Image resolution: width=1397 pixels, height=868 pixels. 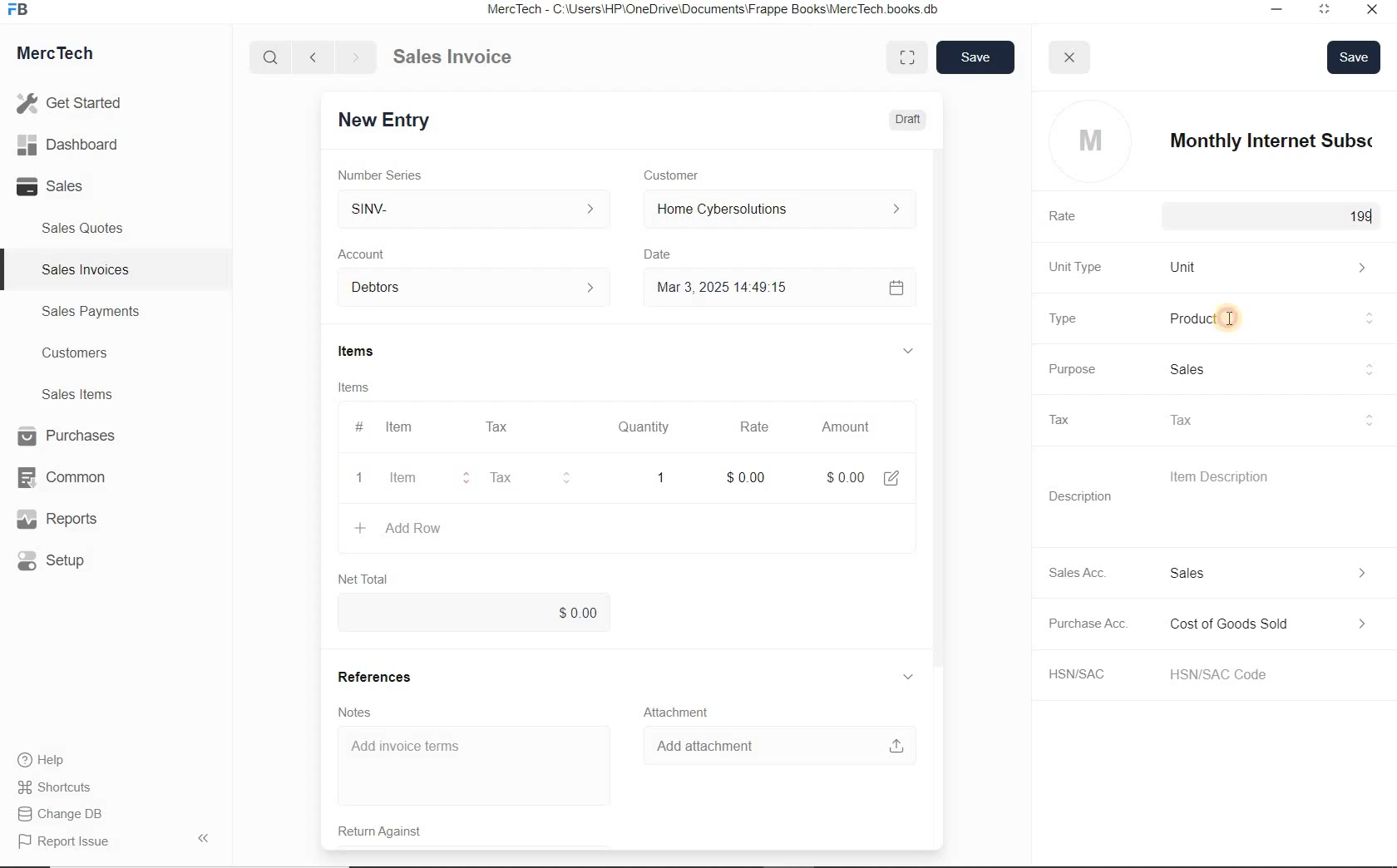 What do you see at coordinates (909, 677) in the screenshot?
I see `hide sub menu` at bounding box center [909, 677].